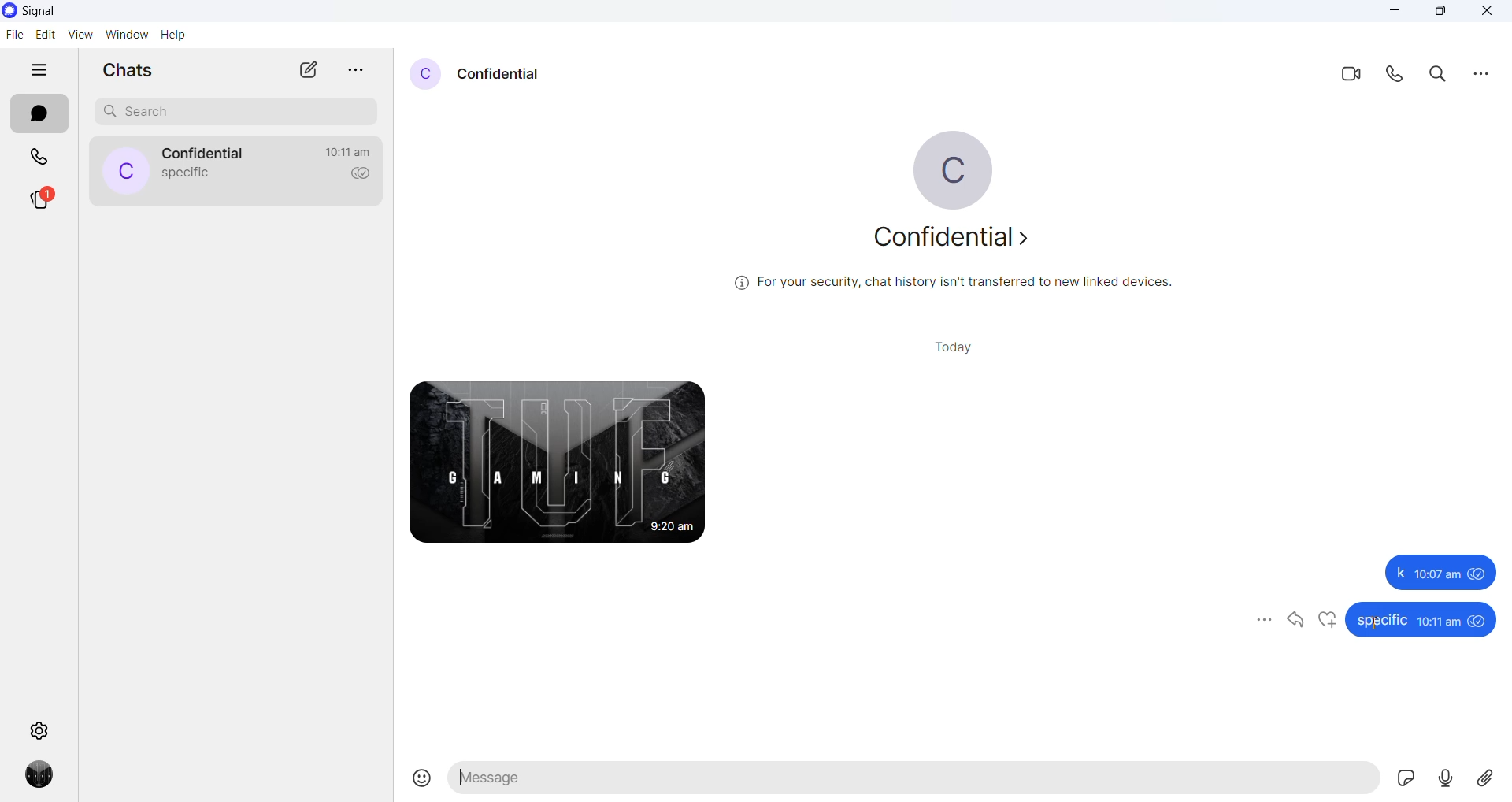  I want to click on file, so click(16, 36).